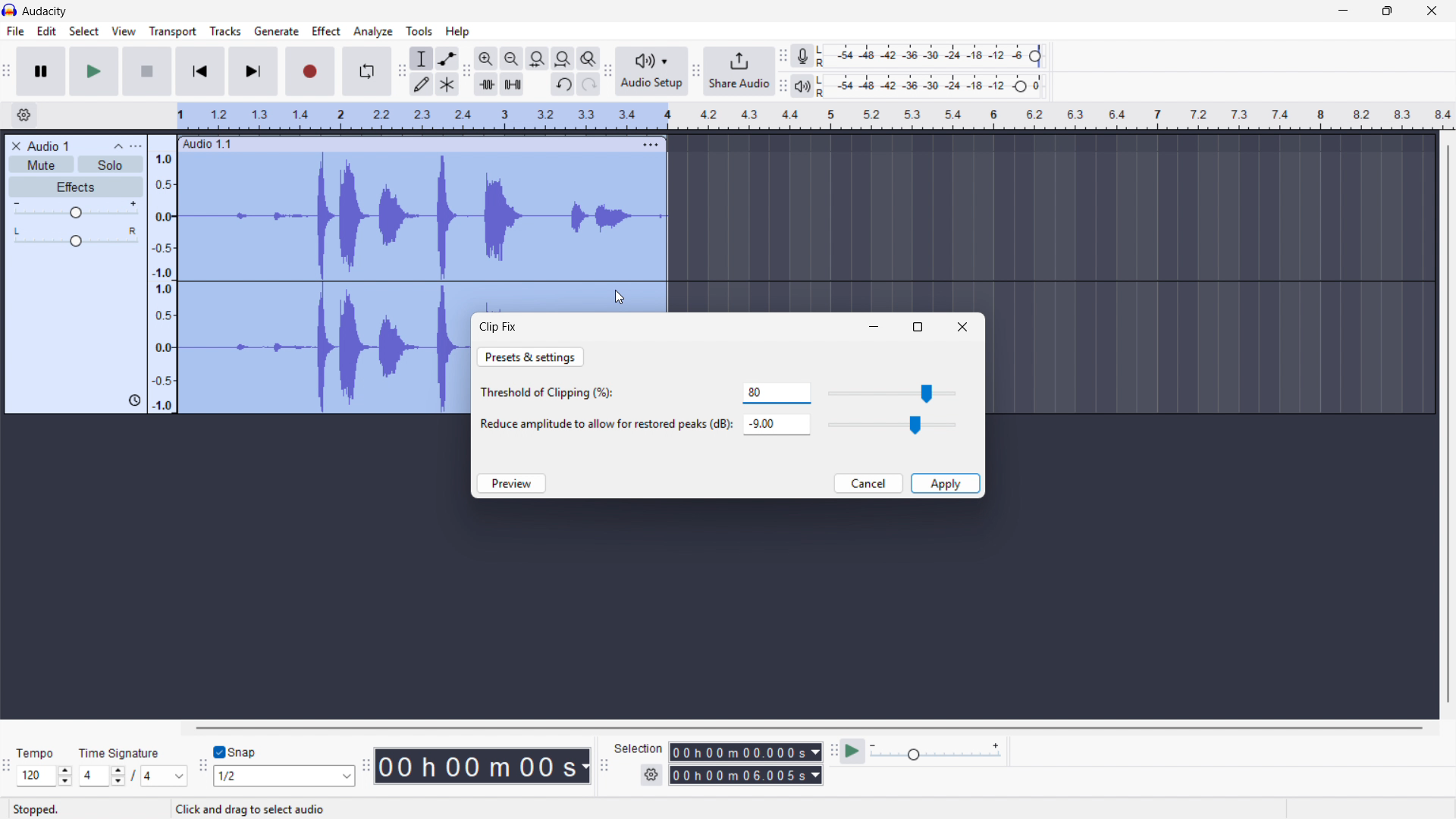 The width and height of the screenshot is (1456, 819). What do you see at coordinates (620, 297) in the screenshot?
I see `Cursor` at bounding box center [620, 297].